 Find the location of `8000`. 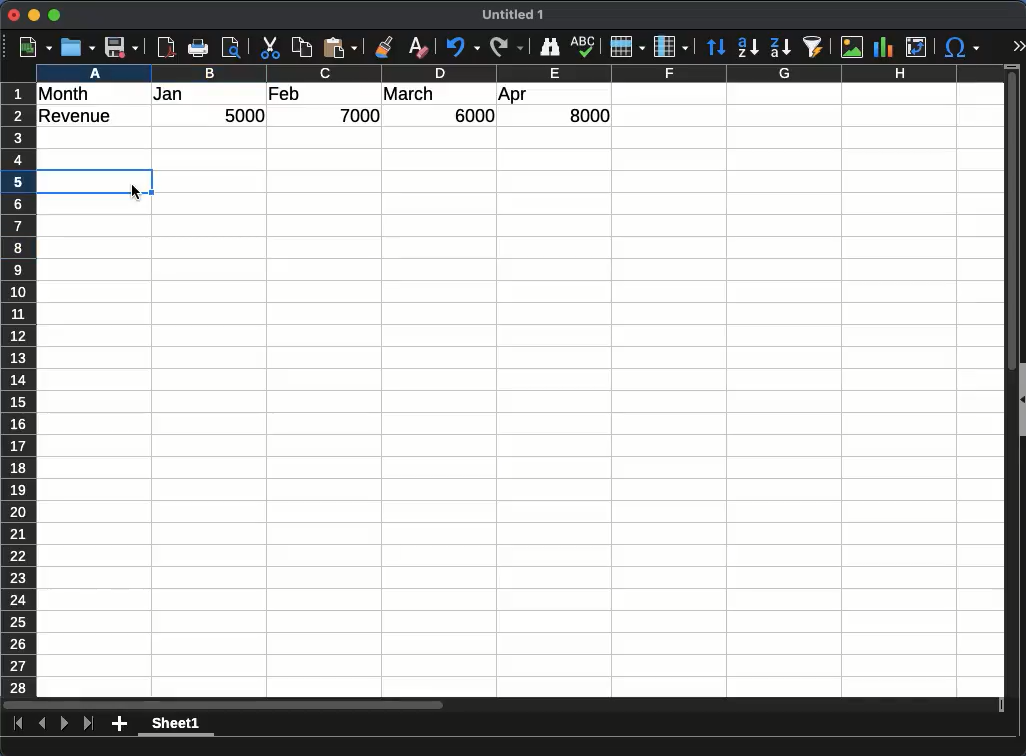

8000 is located at coordinates (589, 115).